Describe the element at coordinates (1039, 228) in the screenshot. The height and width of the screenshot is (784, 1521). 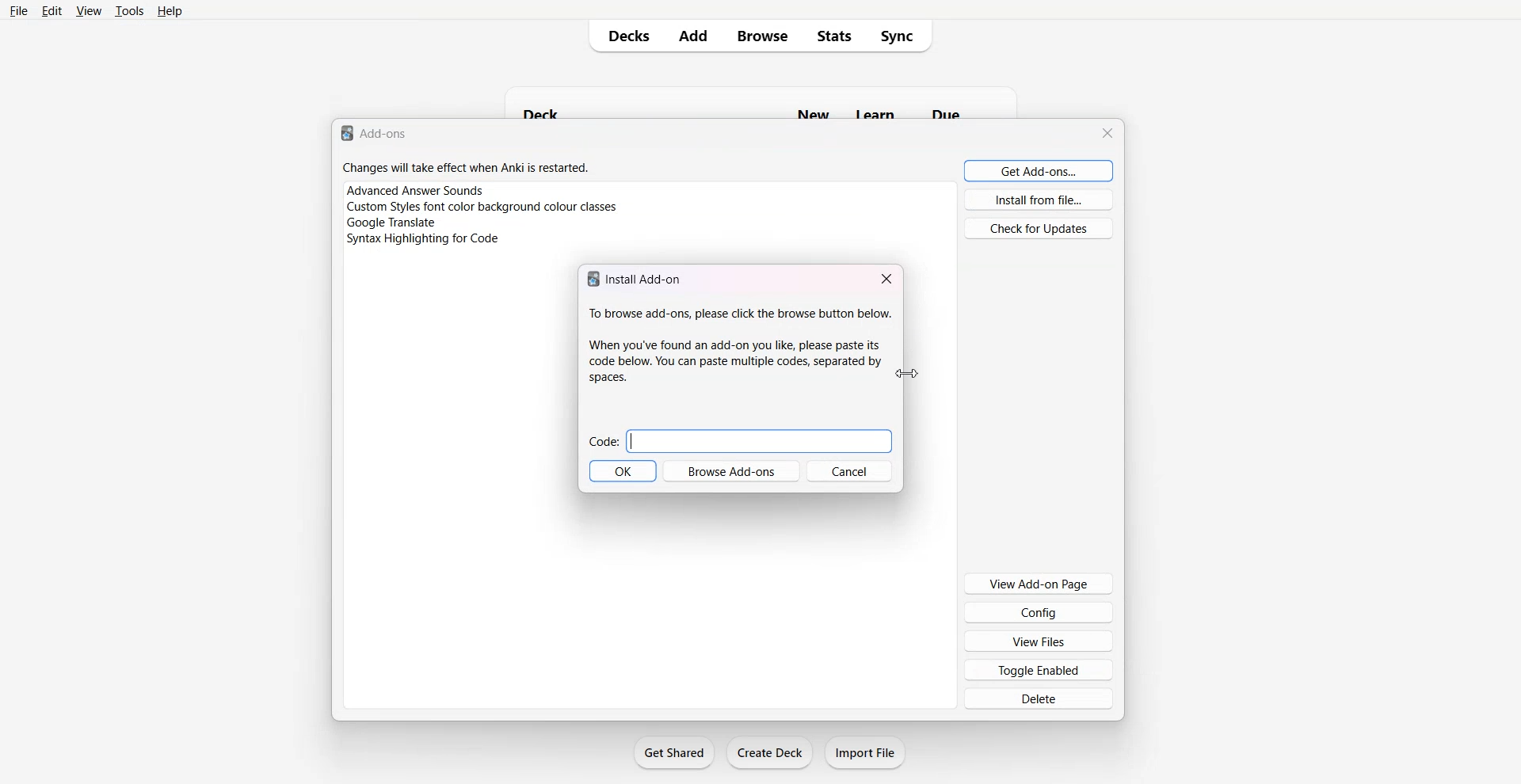
I see `Check for Updates` at that location.